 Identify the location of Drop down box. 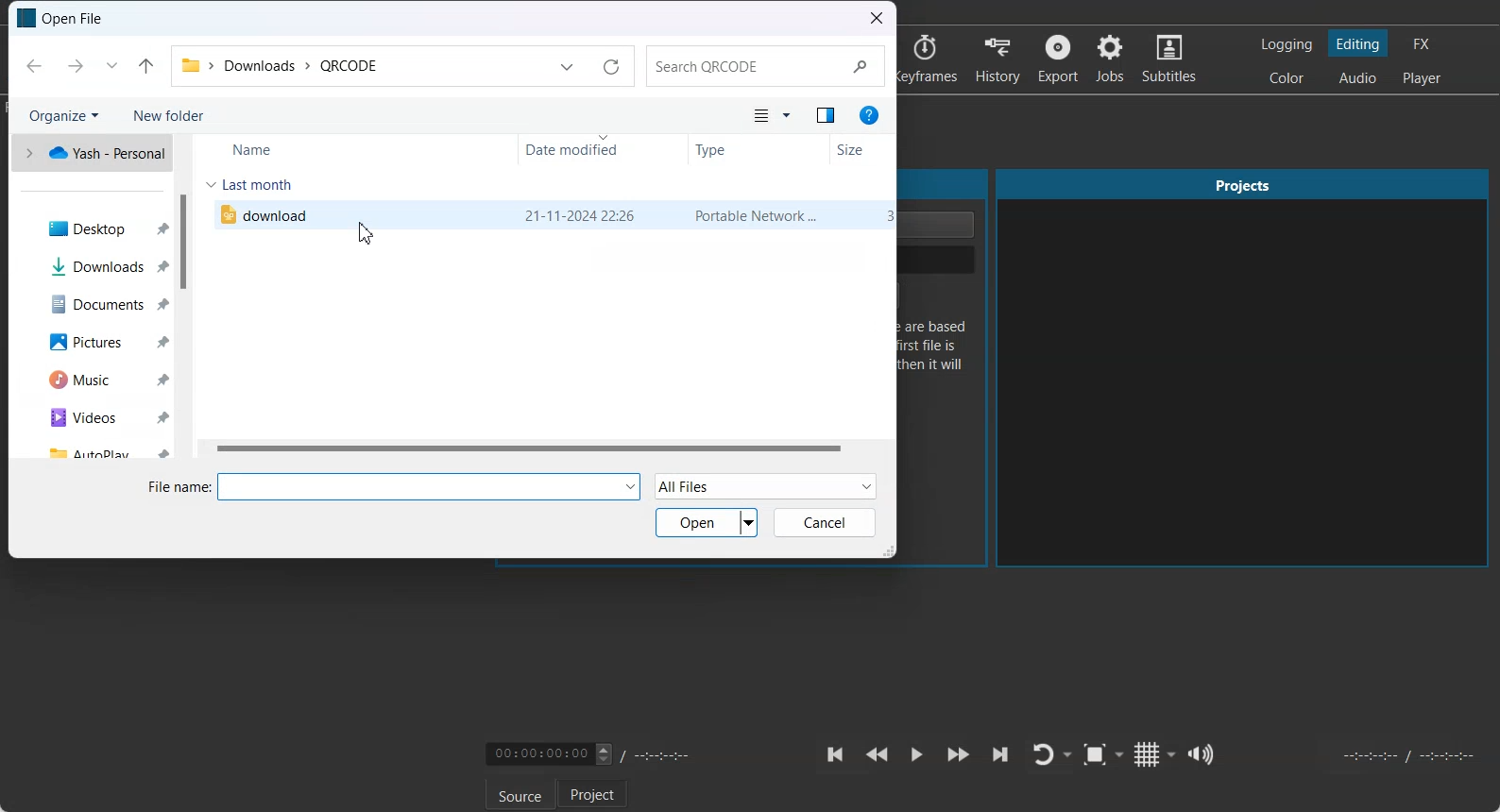
(1172, 754).